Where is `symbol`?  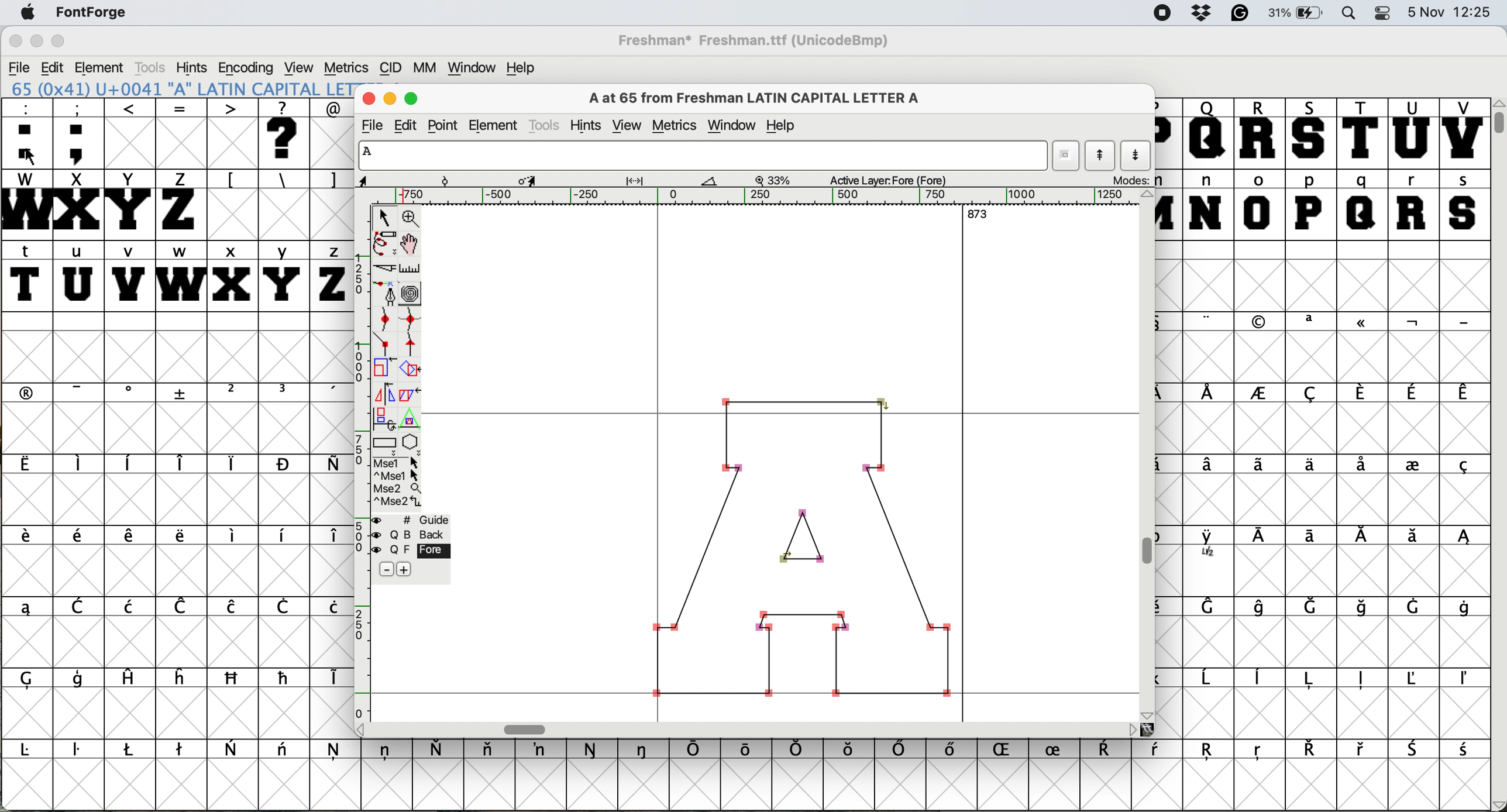
symbol is located at coordinates (287, 536).